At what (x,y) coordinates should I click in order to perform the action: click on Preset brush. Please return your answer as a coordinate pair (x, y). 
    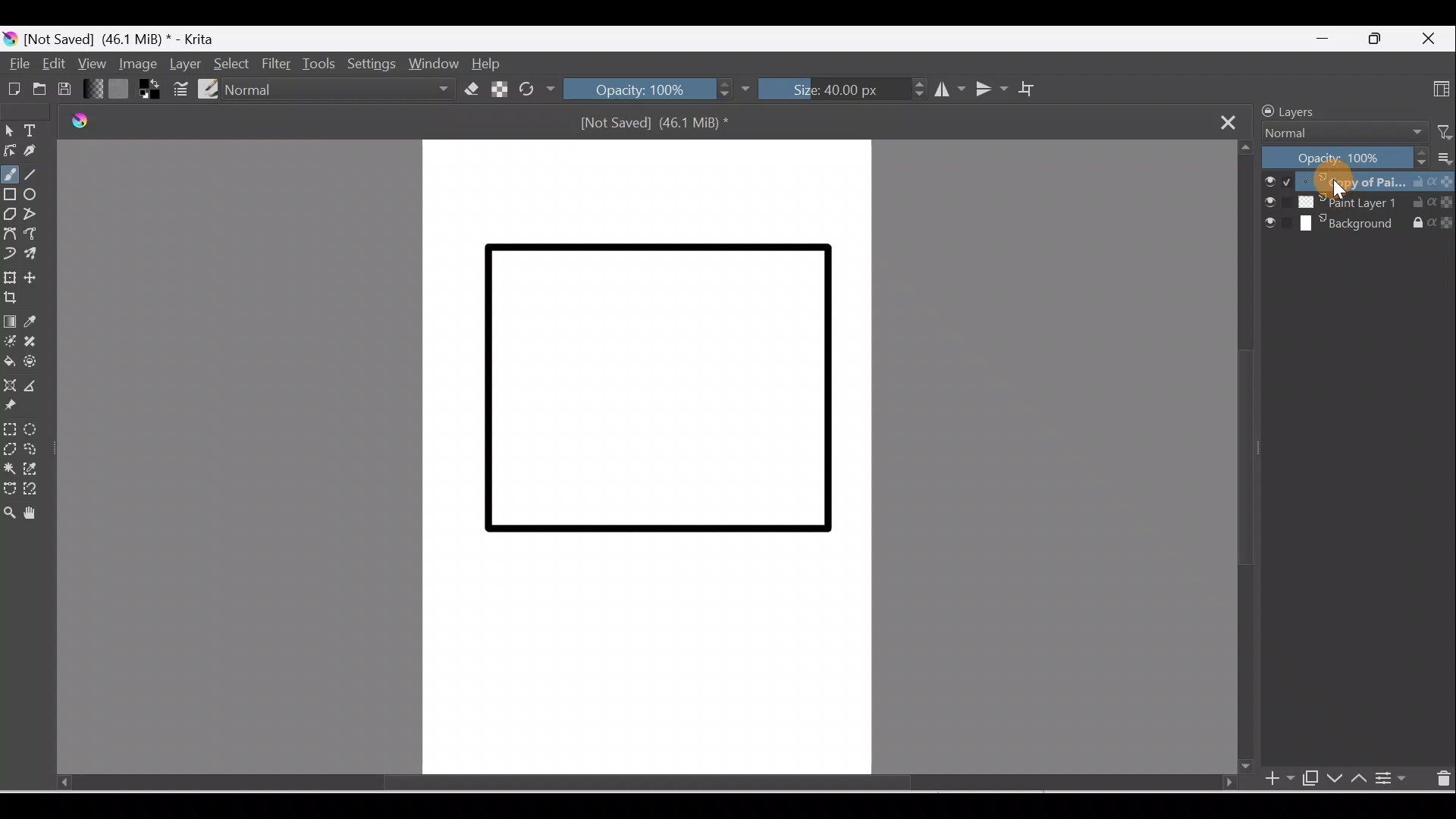
    Looking at the image, I should click on (207, 88).